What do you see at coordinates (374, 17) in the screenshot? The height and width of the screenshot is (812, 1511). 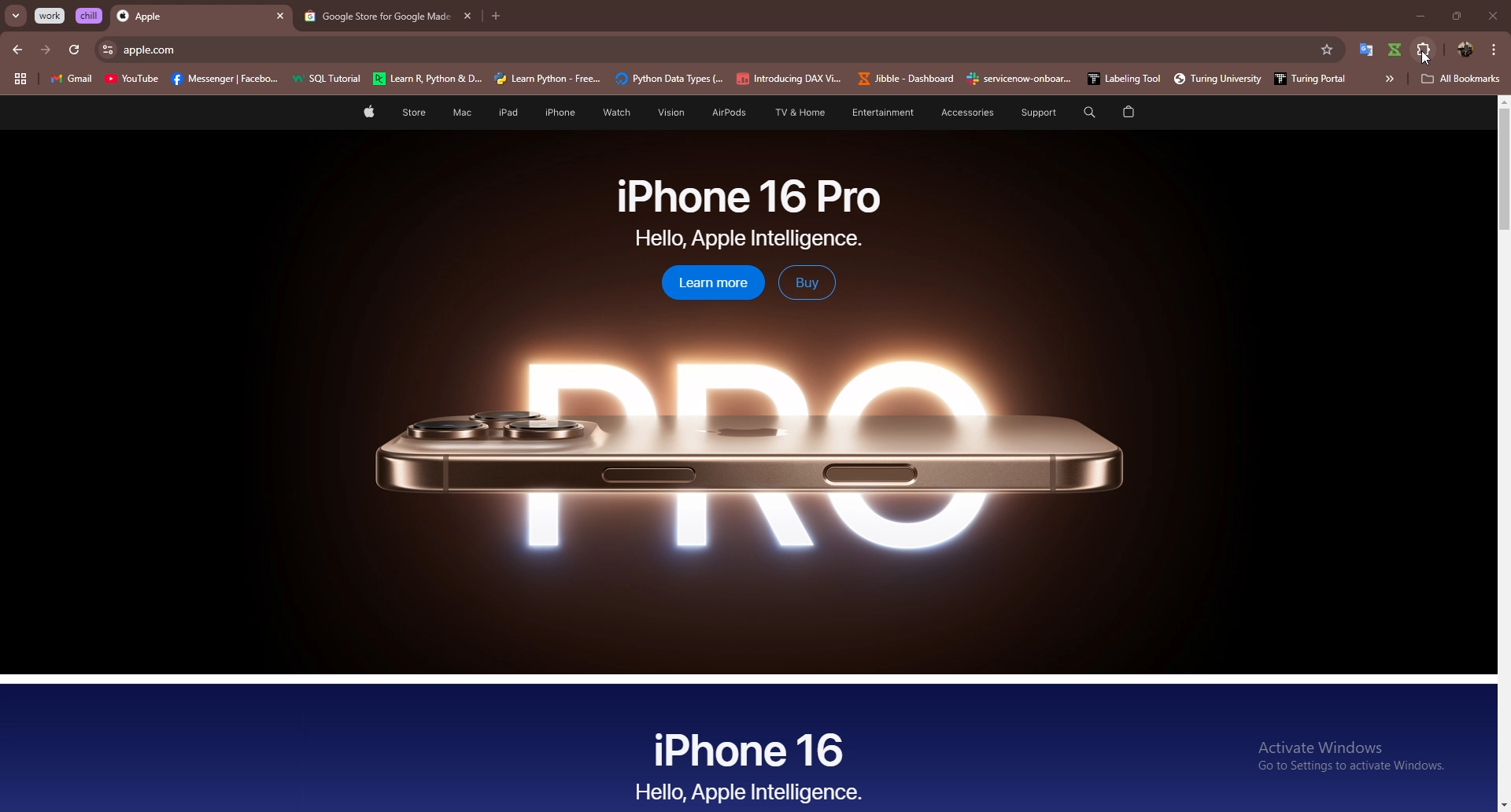 I see `@ Google Store for Google Mad` at bounding box center [374, 17].